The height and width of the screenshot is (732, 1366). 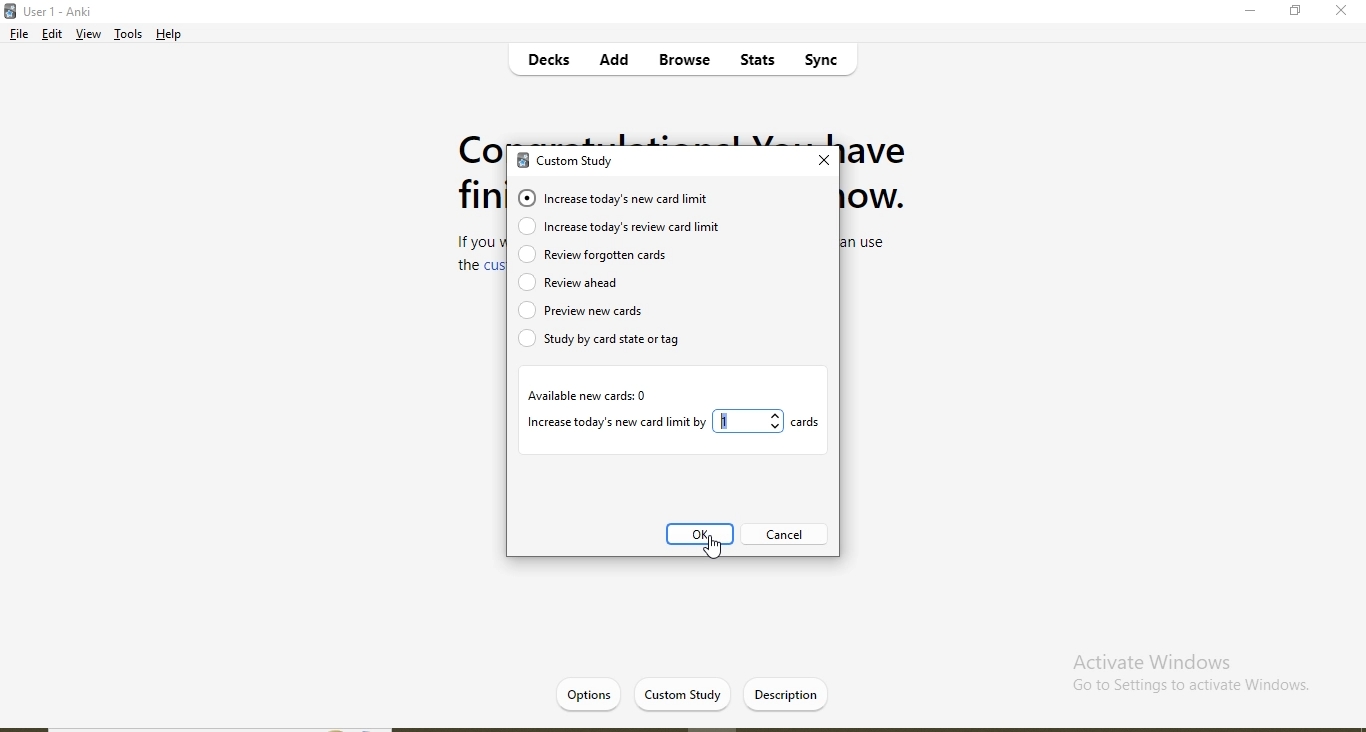 I want to click on custom study, so click(x=574, y=163).